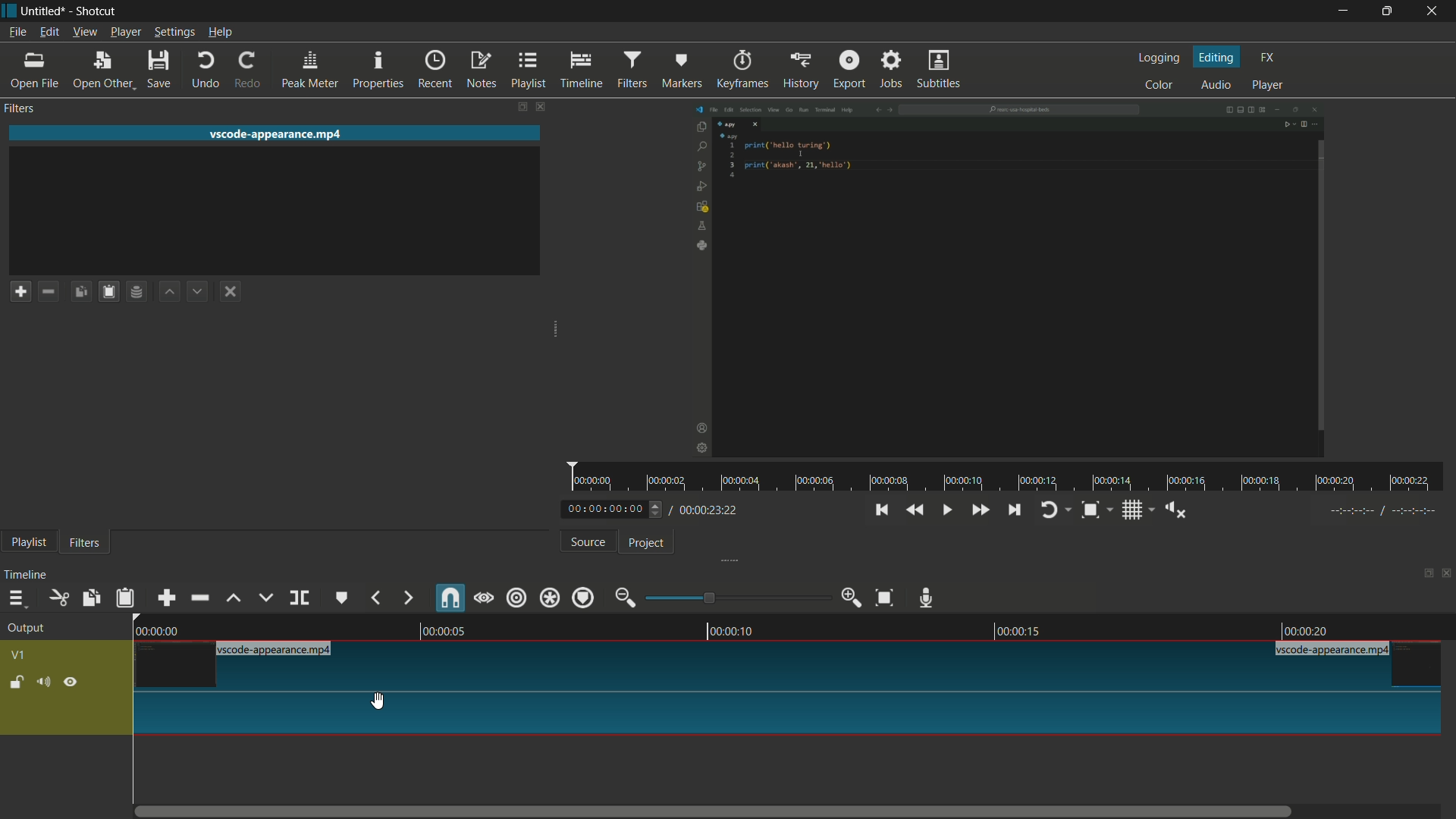 The width and height of the screenshot is (1456, 819). Describe the element at coordinates (1007, 281) in the screenshot. I see `imported file` at that location.